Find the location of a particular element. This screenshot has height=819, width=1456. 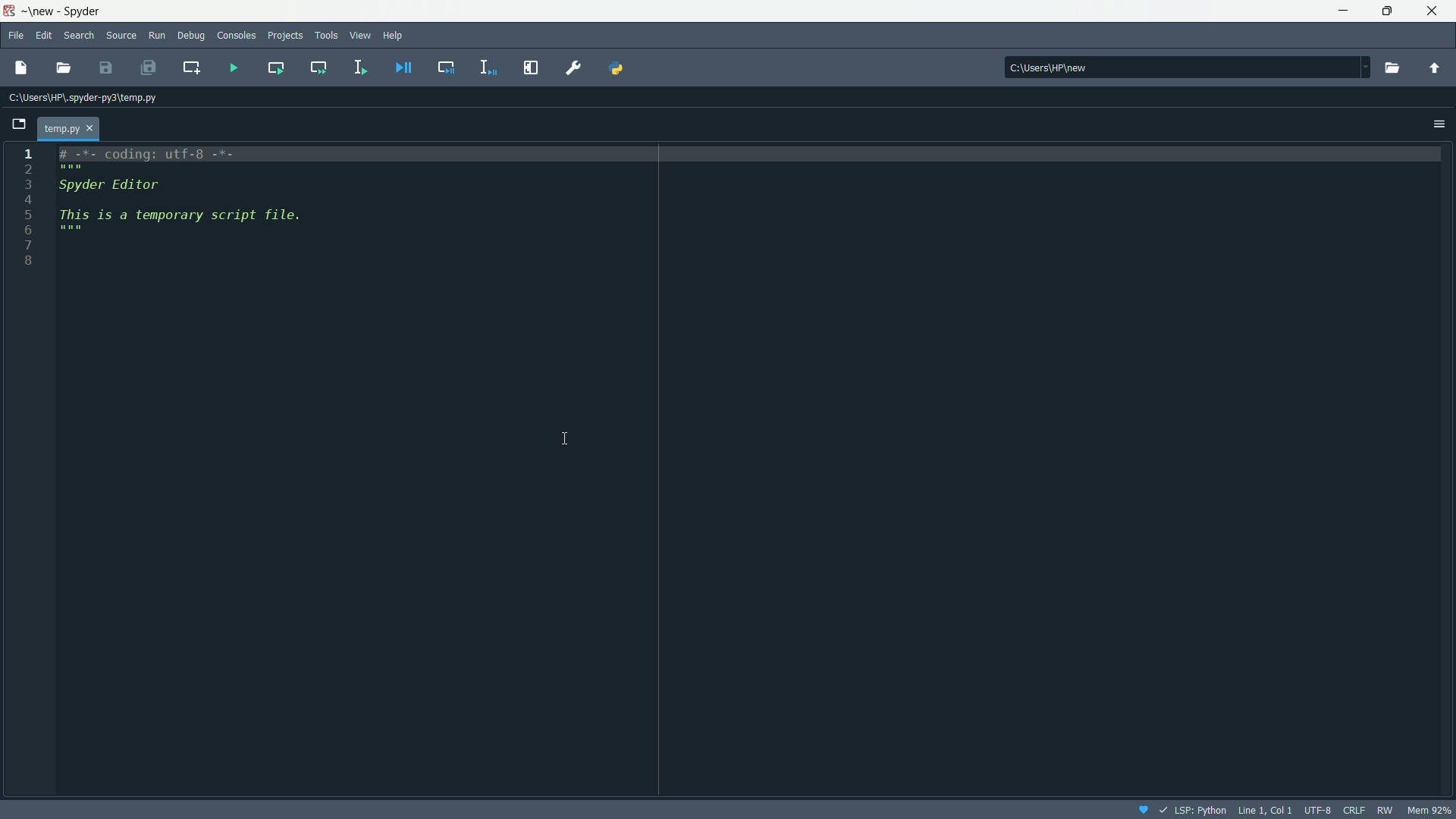

file directory is located at coordinates (91, 98).